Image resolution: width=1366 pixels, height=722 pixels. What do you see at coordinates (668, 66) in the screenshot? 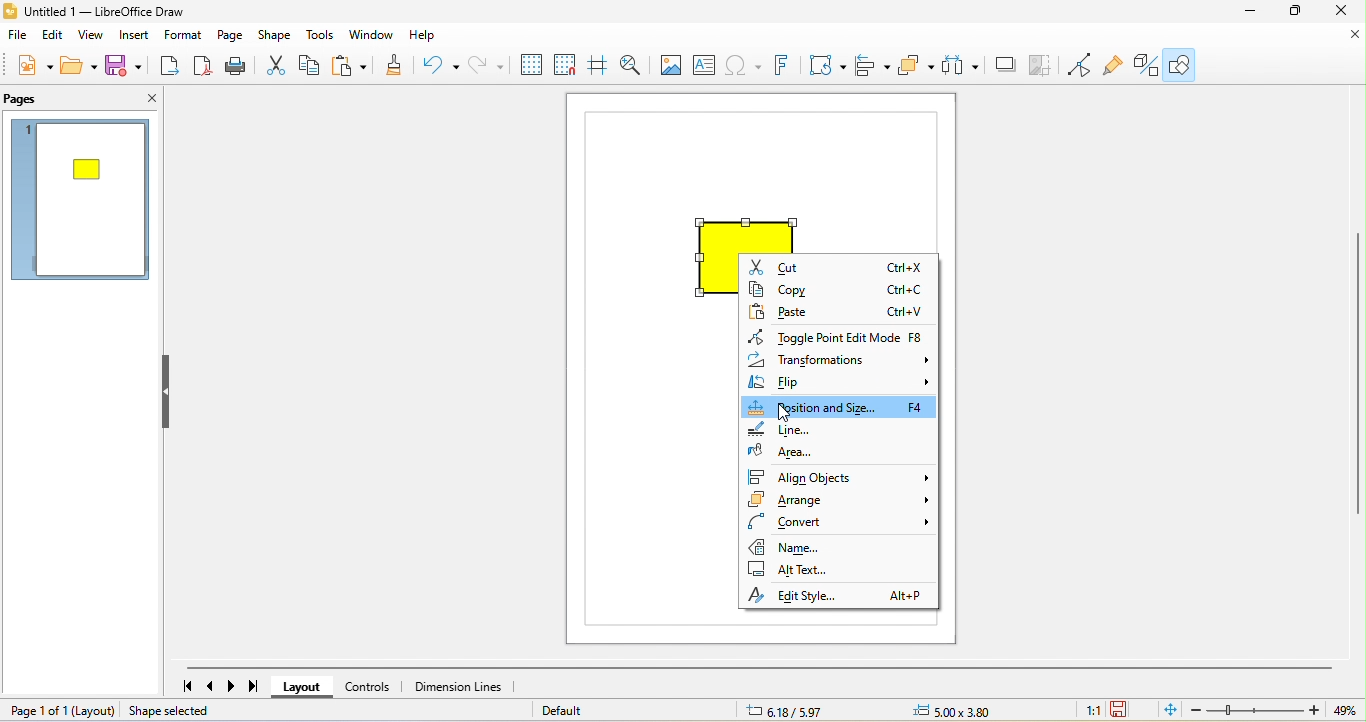
I see `image` at bounding box center [668, 66].